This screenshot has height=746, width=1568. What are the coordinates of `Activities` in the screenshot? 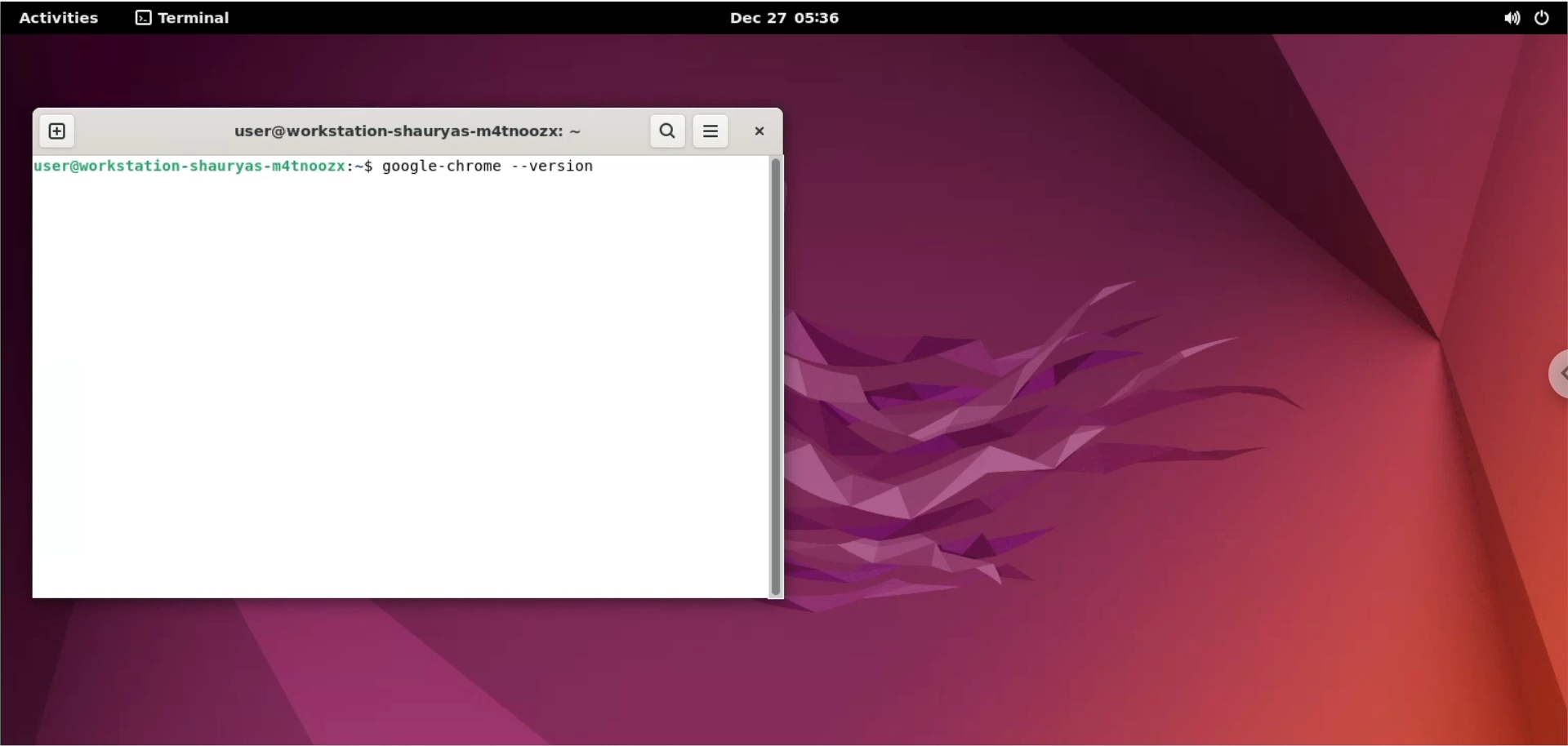 It's located at (60, 16).